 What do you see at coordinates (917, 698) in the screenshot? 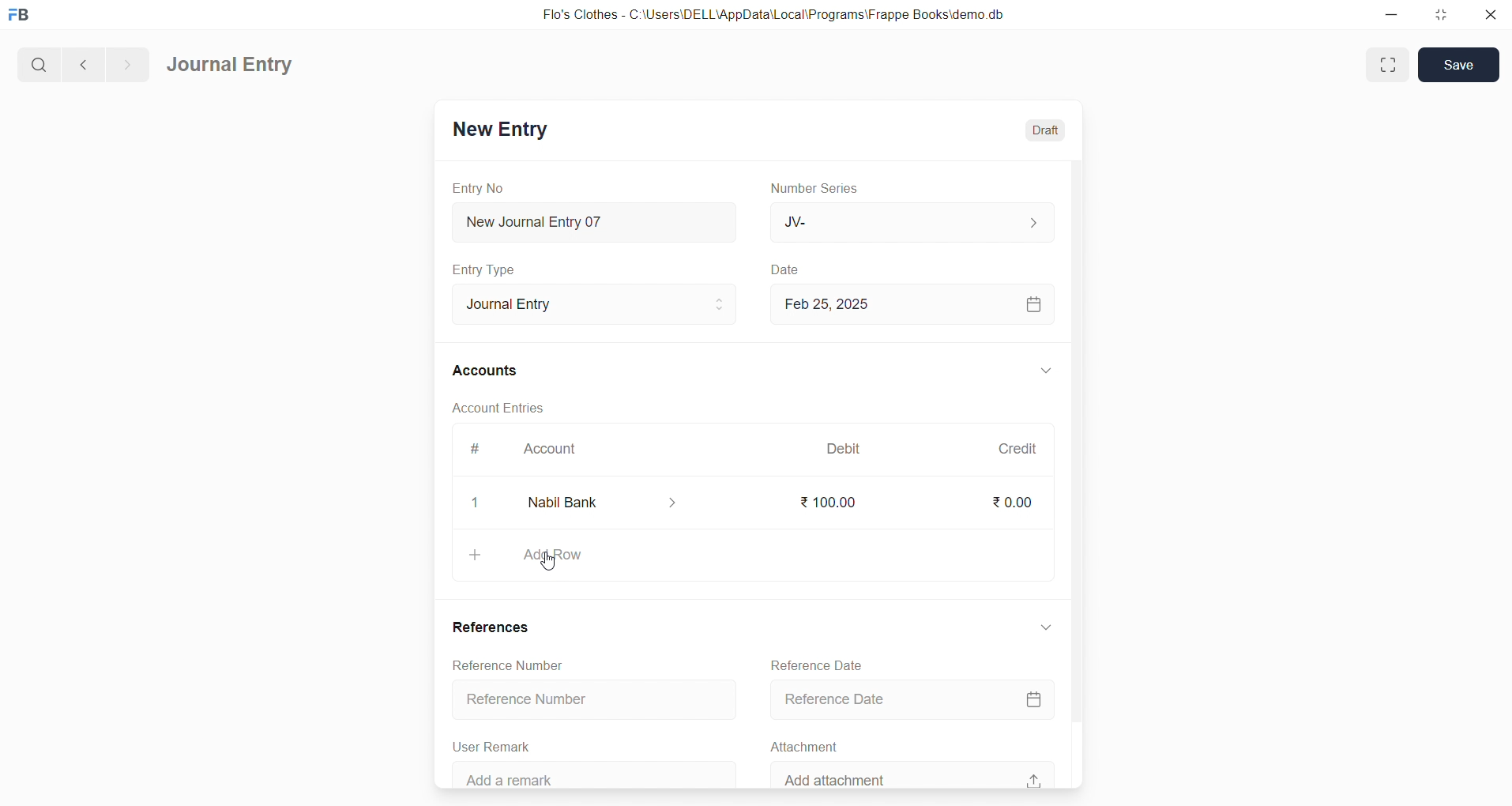
I see `Reference Date` at bounding box center [917, 698].